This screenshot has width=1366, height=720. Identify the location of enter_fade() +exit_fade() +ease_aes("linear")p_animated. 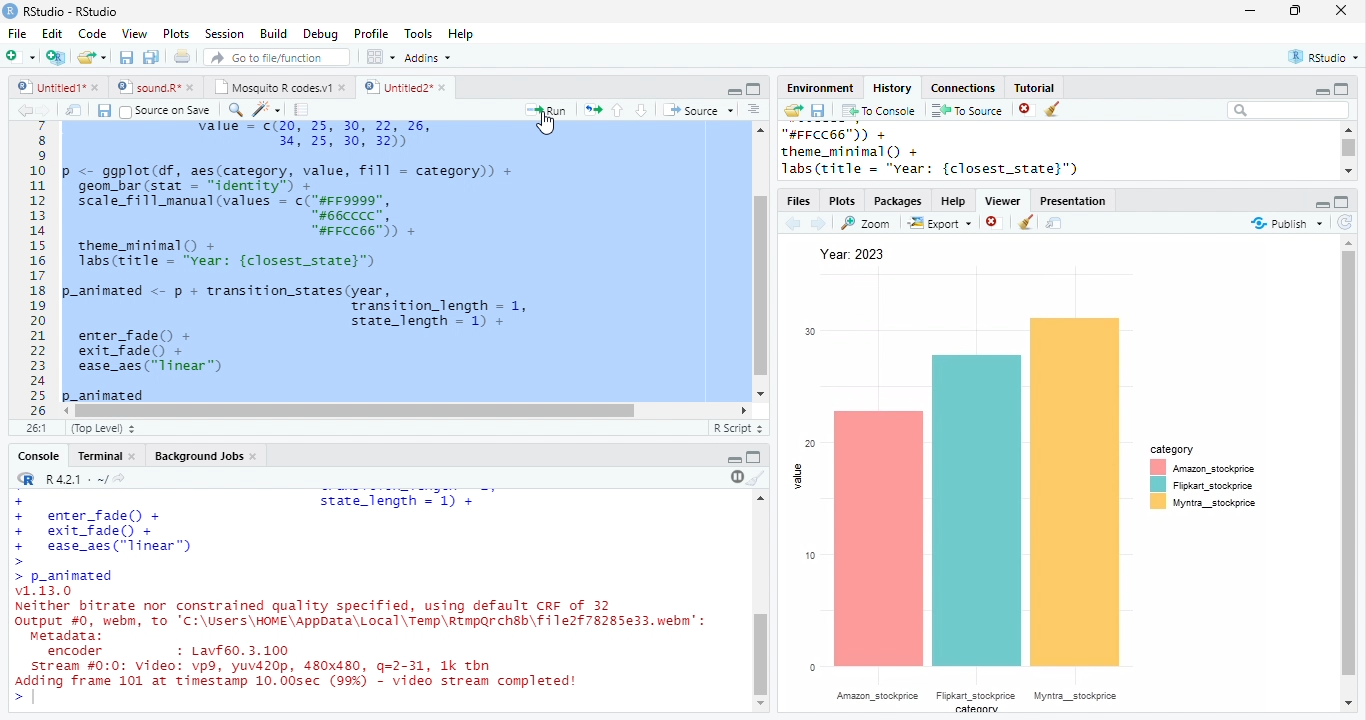
(151, 366).